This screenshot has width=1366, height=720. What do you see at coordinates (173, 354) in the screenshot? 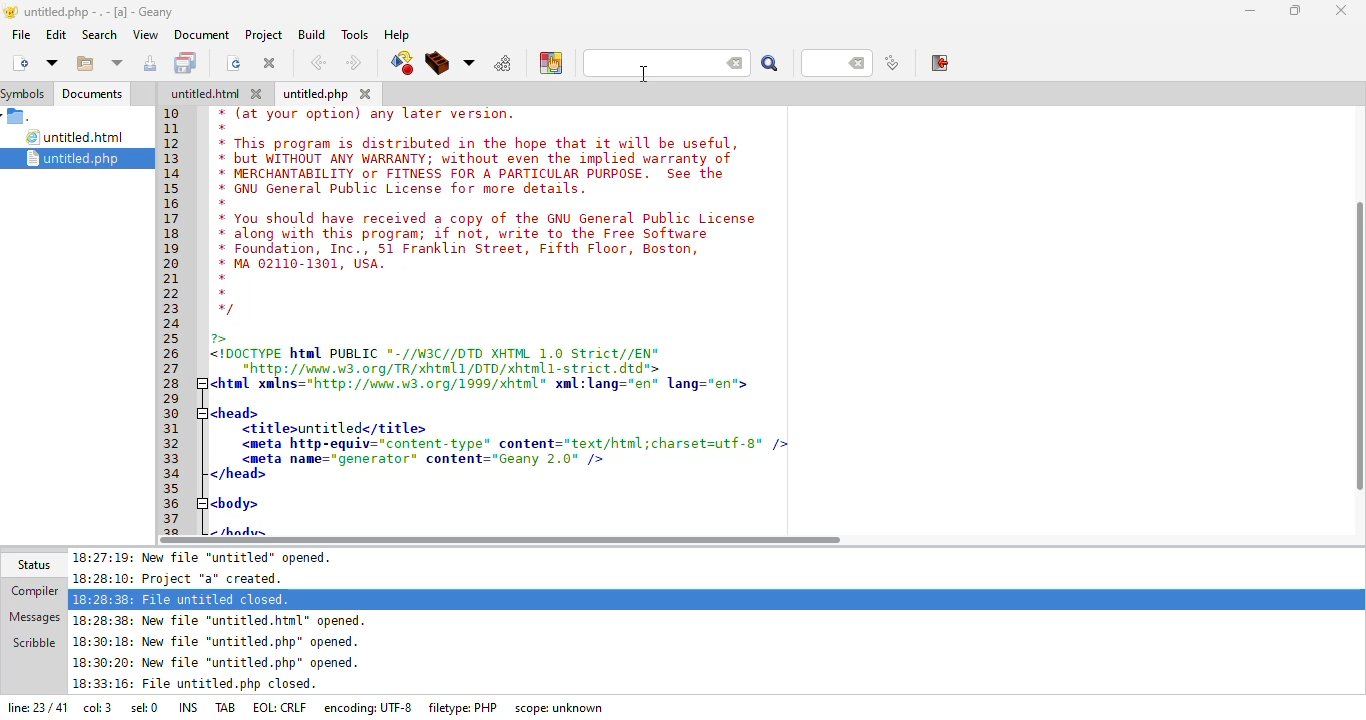
I see `26` at bounding box center [173, 354].